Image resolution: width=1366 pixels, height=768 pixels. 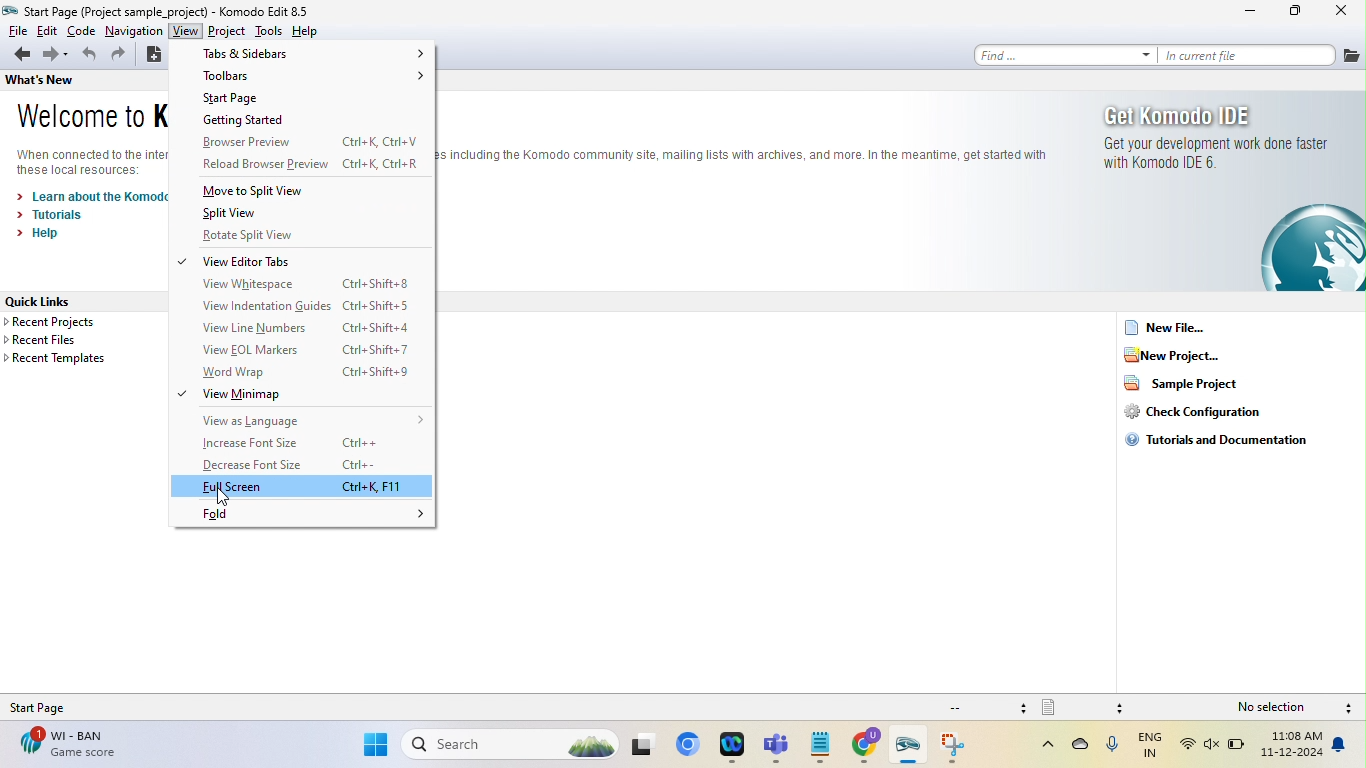 I want to click on back, so click(x=19, y=55).